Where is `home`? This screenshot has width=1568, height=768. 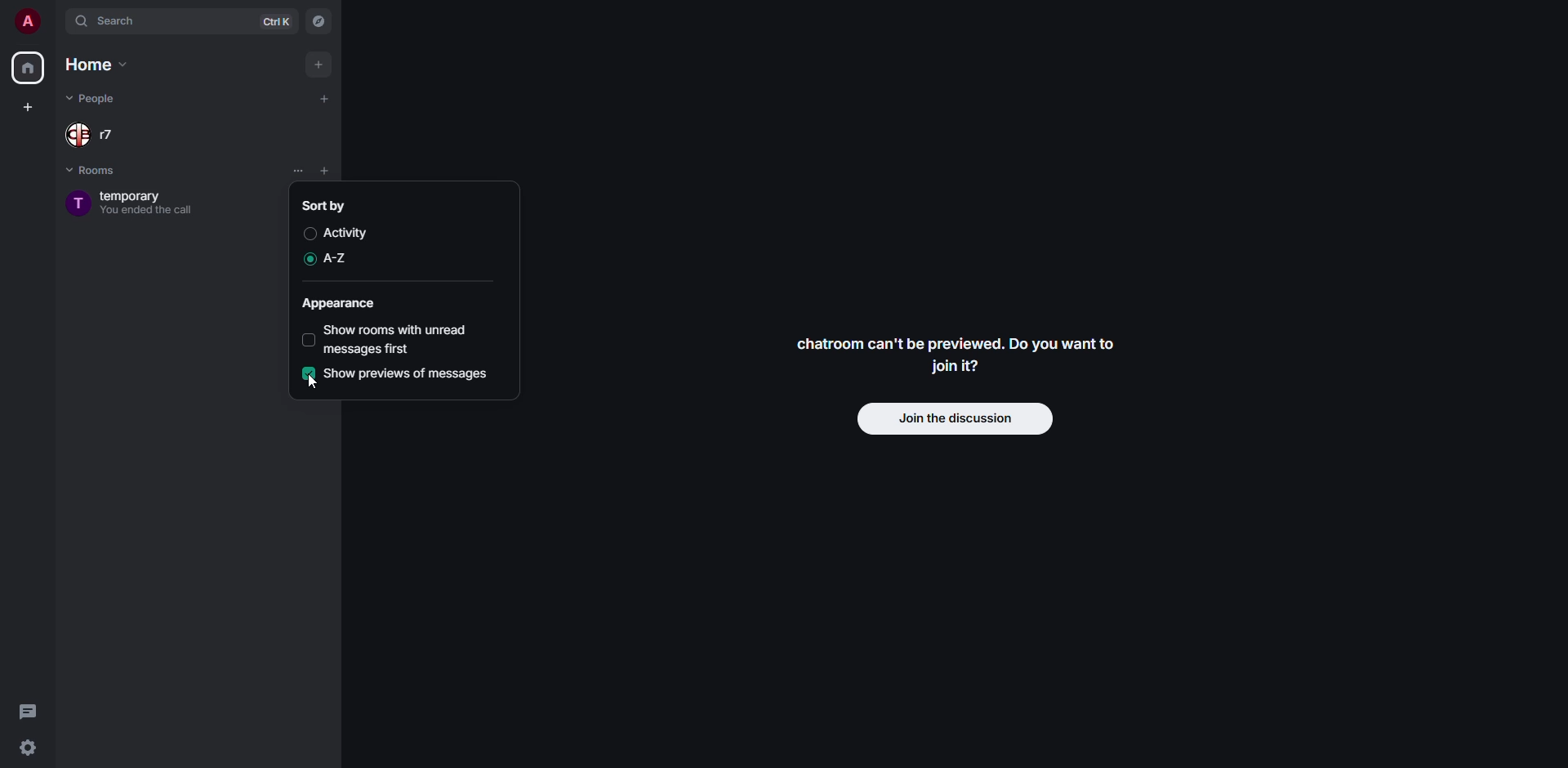
home is located at coordinates (100, 65).